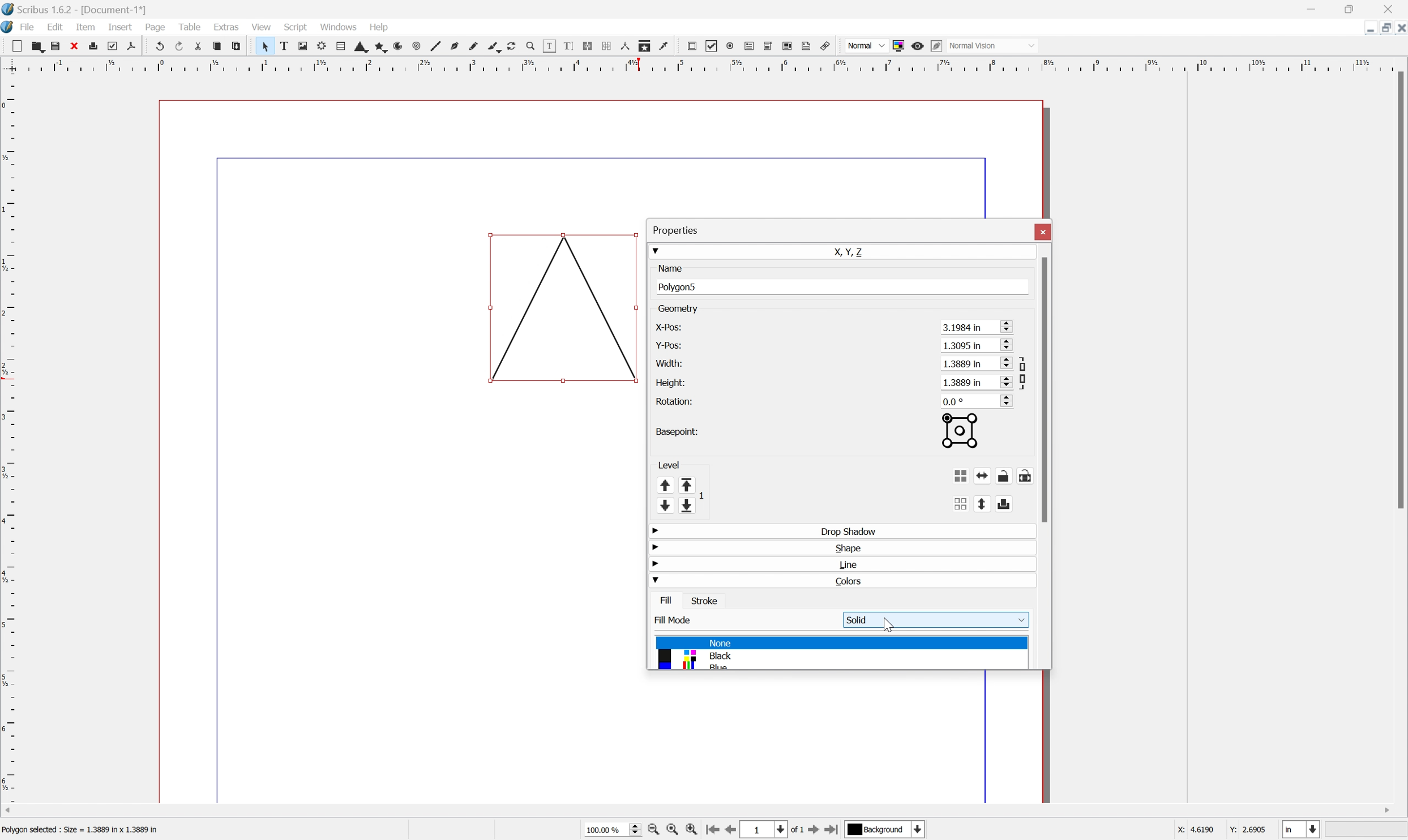 The height and width of the screenshot is (840, 1408). Describe the element at coordinates (357, 48) in the screenshot. I see `Shape` at that location.